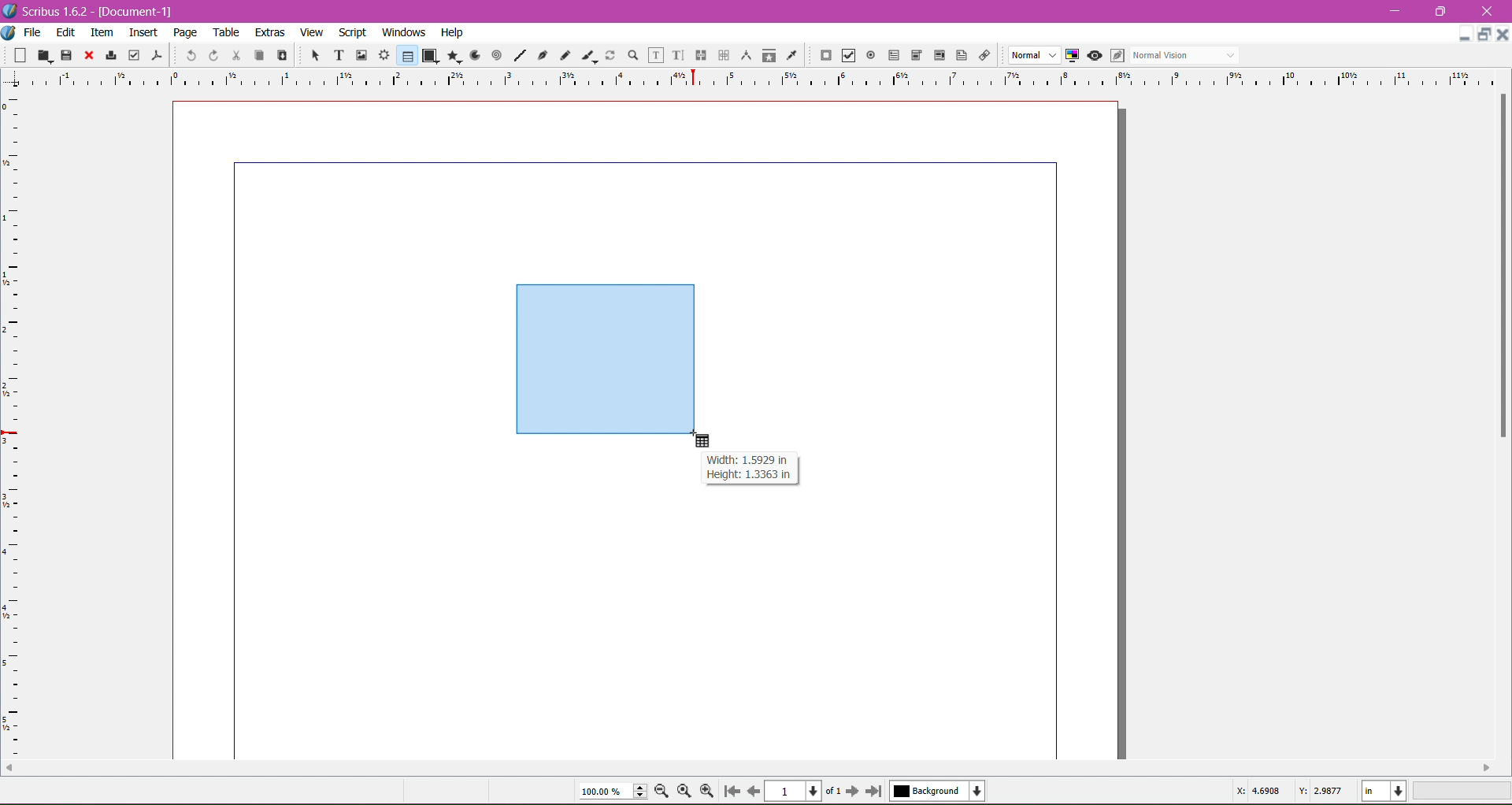 The image size is (1512, 805). Describe the element at coordinates (588, 54) in the screenshot. I see `Calligraphic Line` at that location.